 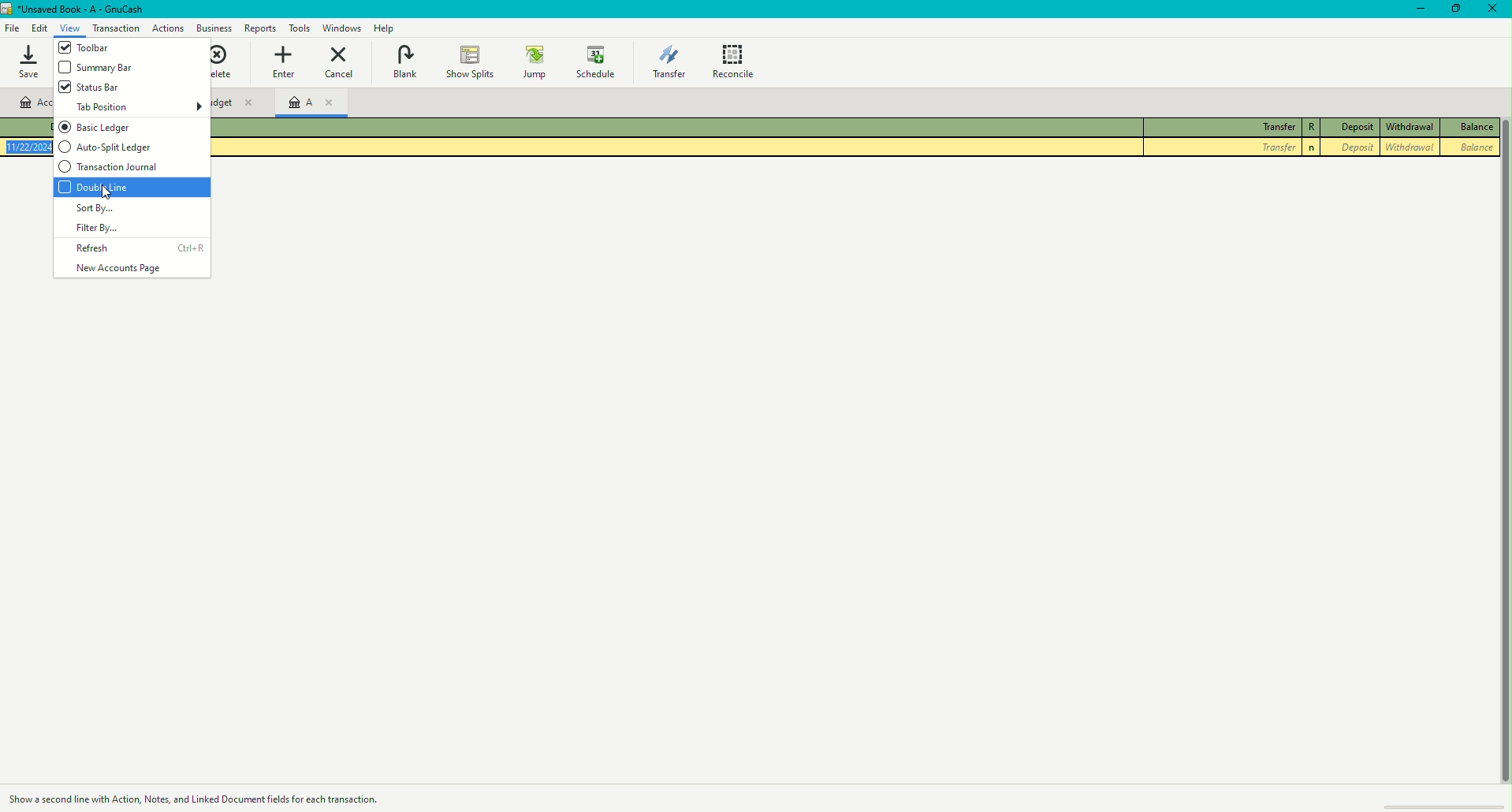 I want to click on Save, so click(x=24, y=64).